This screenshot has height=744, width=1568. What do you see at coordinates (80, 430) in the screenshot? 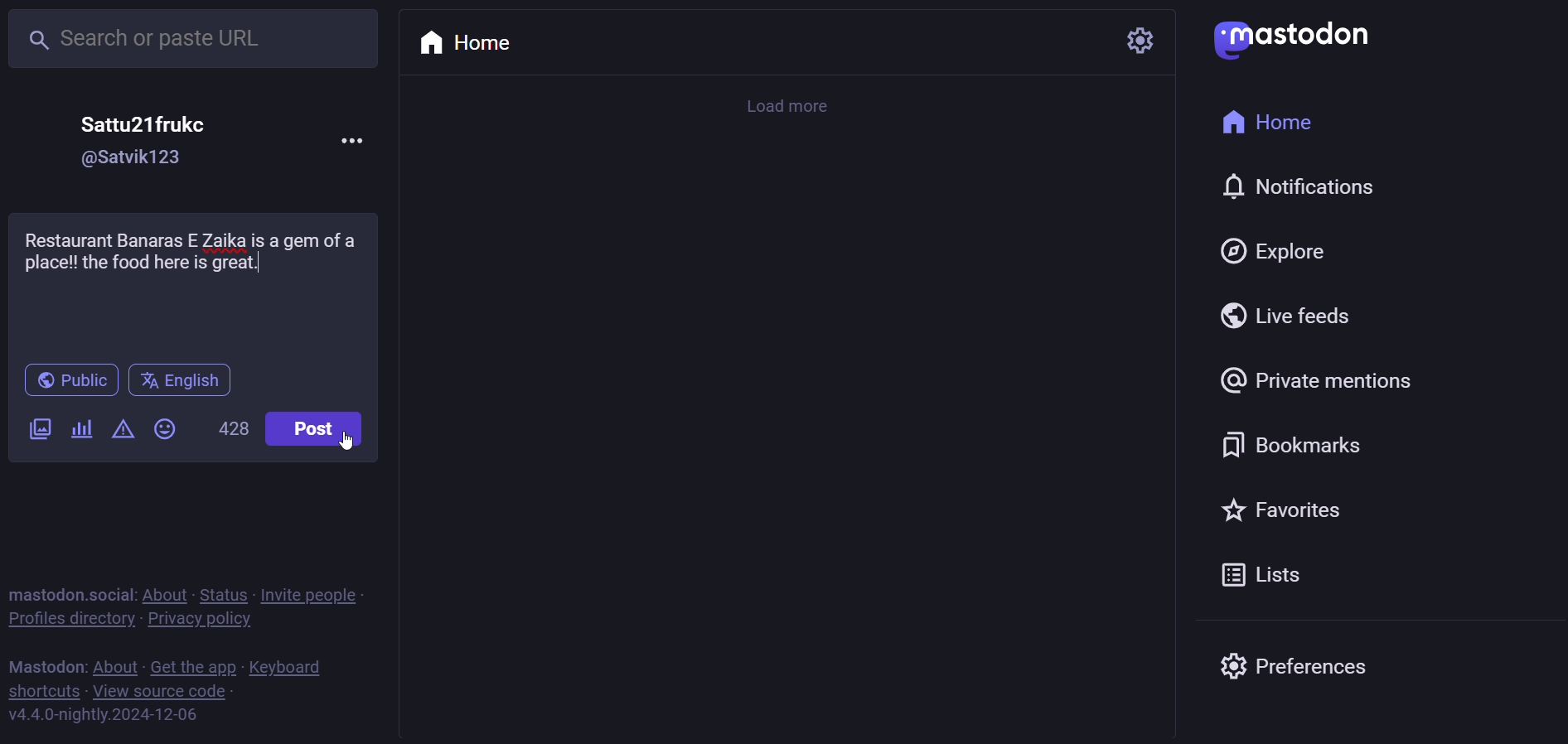
I see `poll` at bounding box center [80, 430].